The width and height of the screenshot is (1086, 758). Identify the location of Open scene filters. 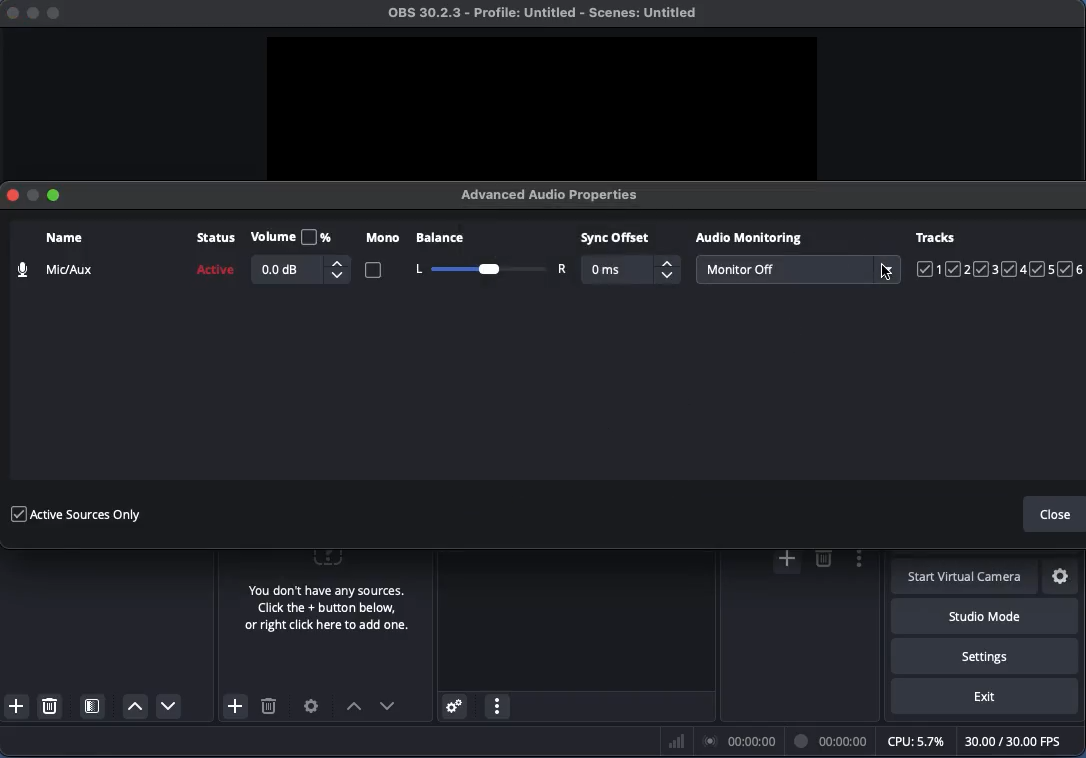
(94, 708).